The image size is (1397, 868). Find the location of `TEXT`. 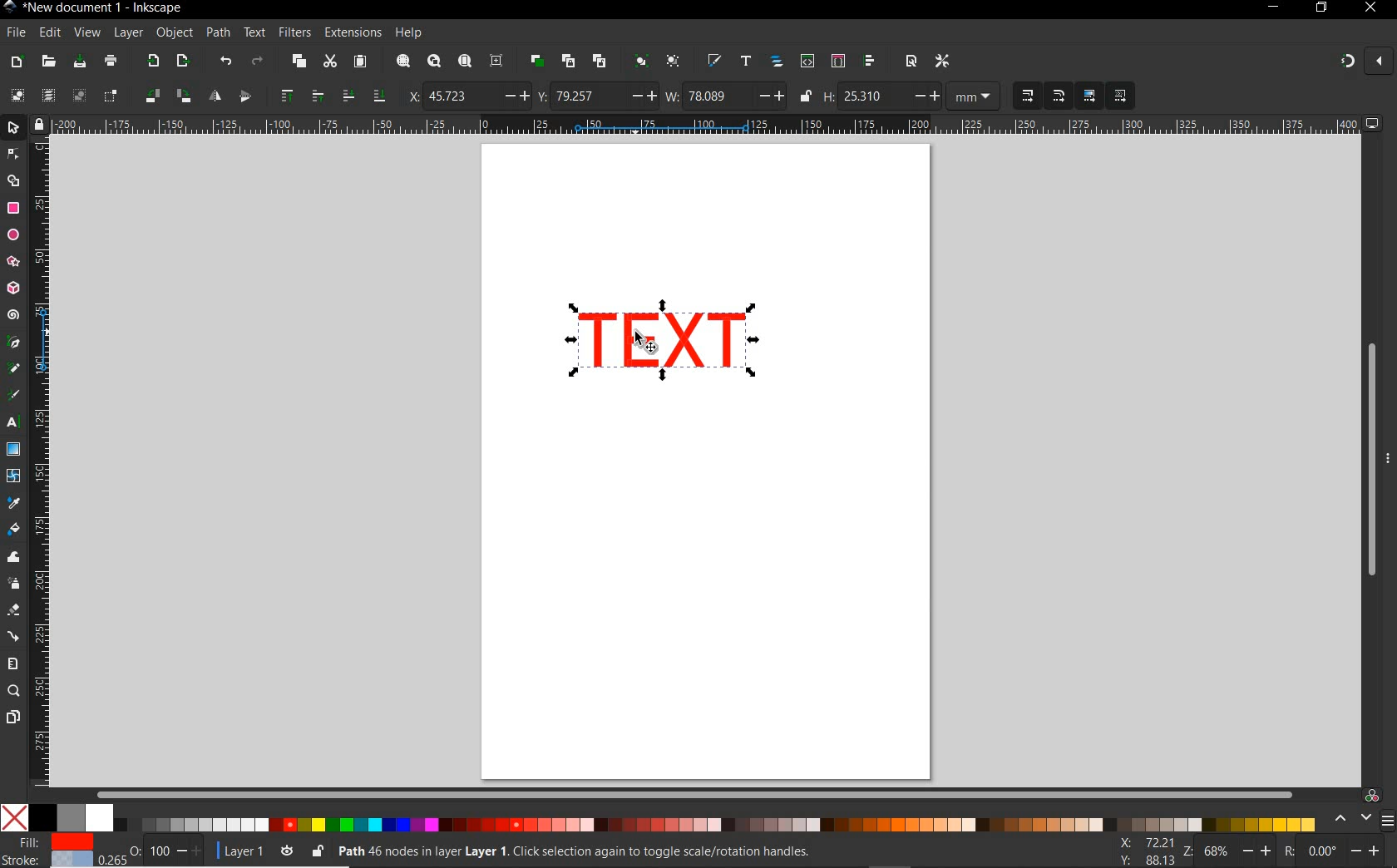

TEXT is located at coordinates (254, 32).